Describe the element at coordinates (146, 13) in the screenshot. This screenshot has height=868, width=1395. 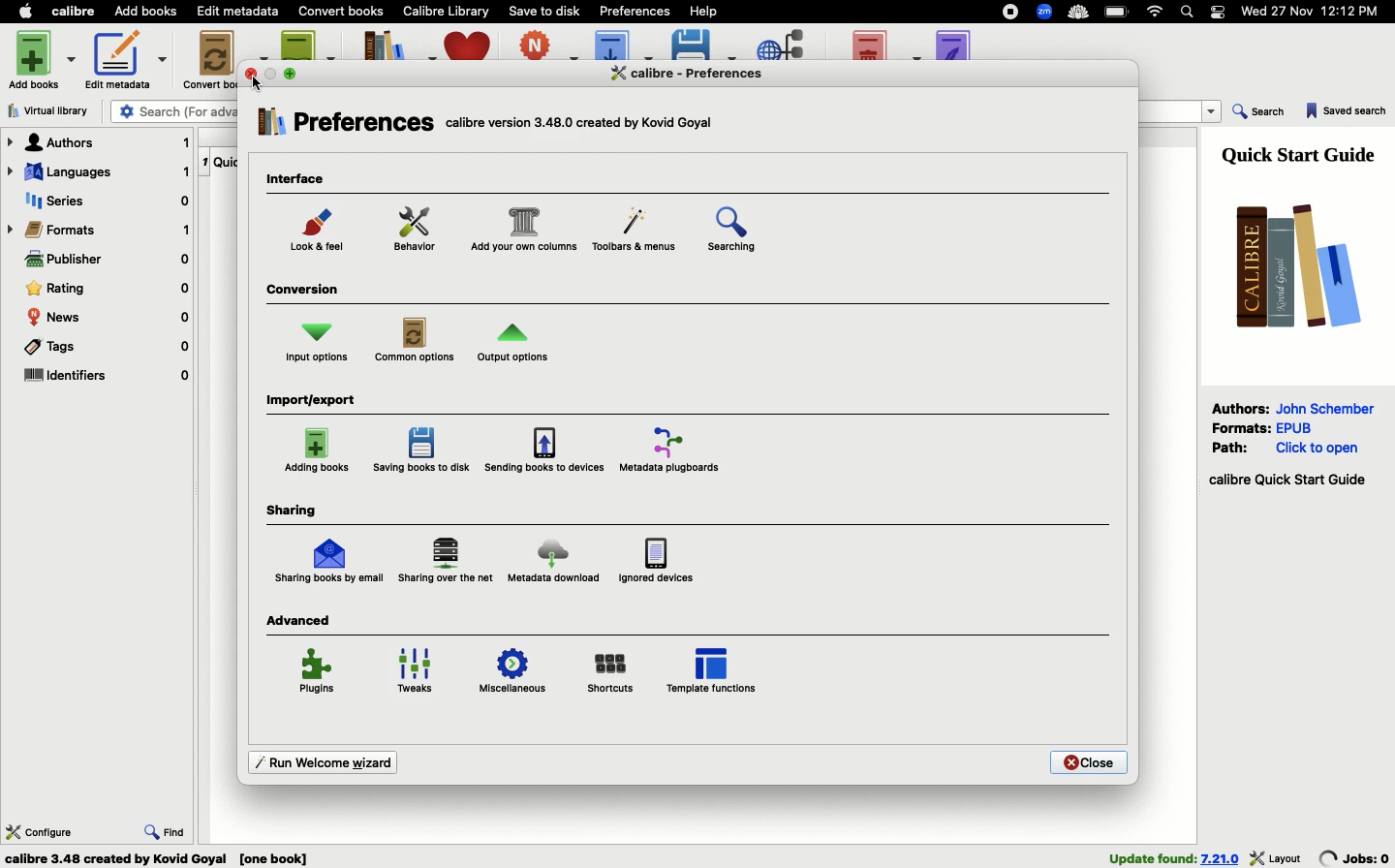
I see `Add books` at that location.